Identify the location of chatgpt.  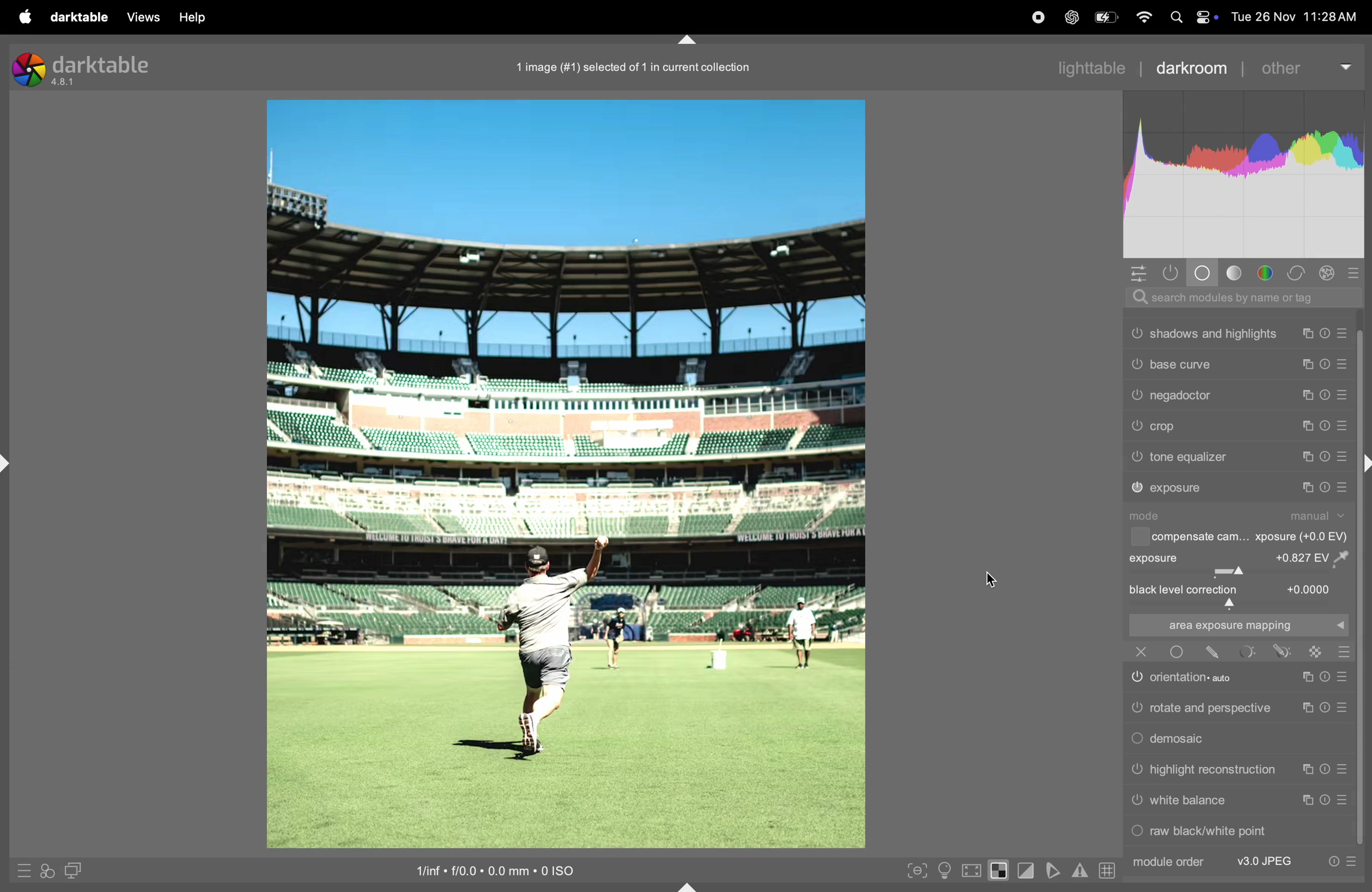
(1069, 18).